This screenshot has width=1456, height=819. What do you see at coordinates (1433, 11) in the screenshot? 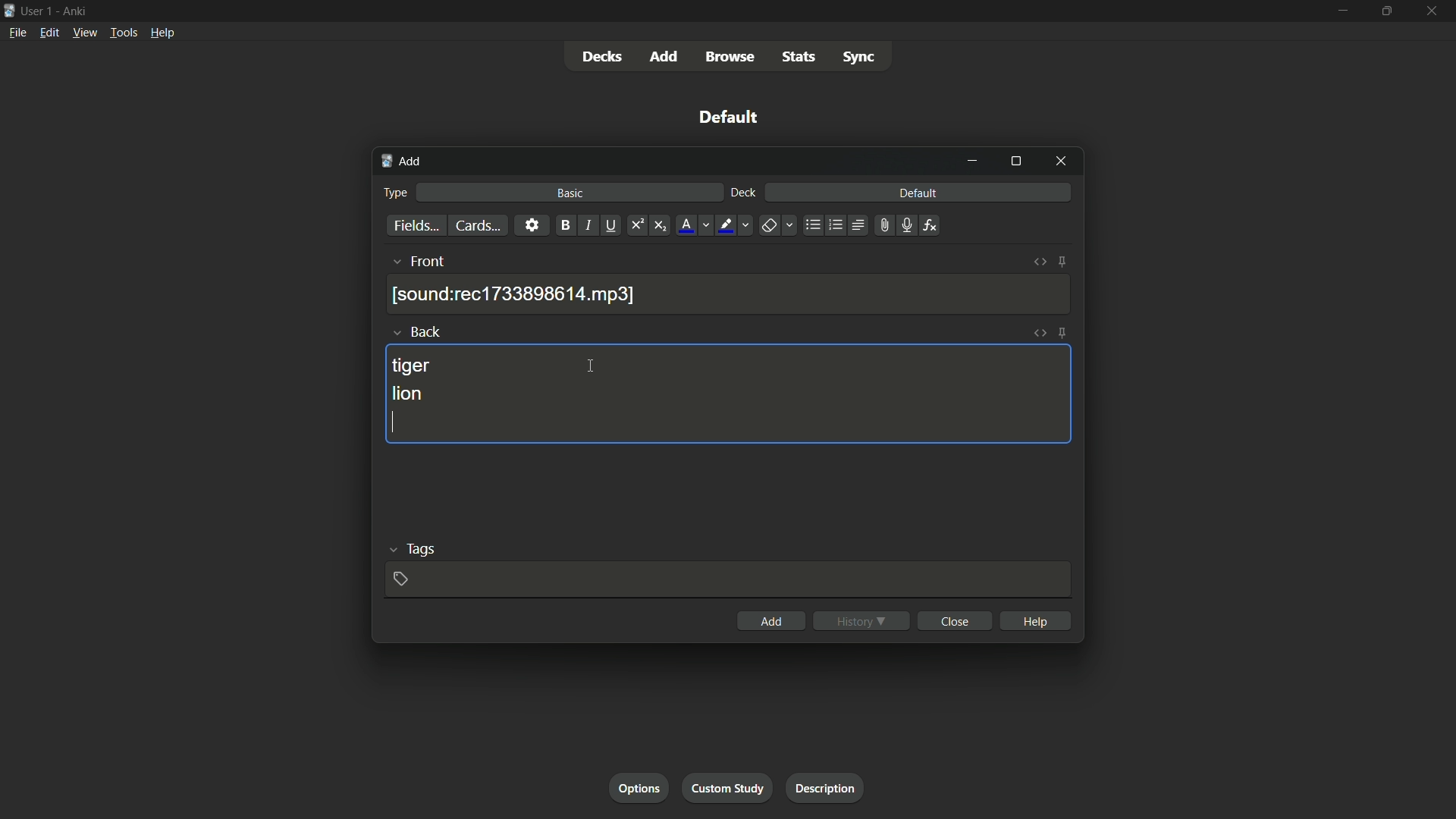
I see `close app` at bounding box center [1433, 11].